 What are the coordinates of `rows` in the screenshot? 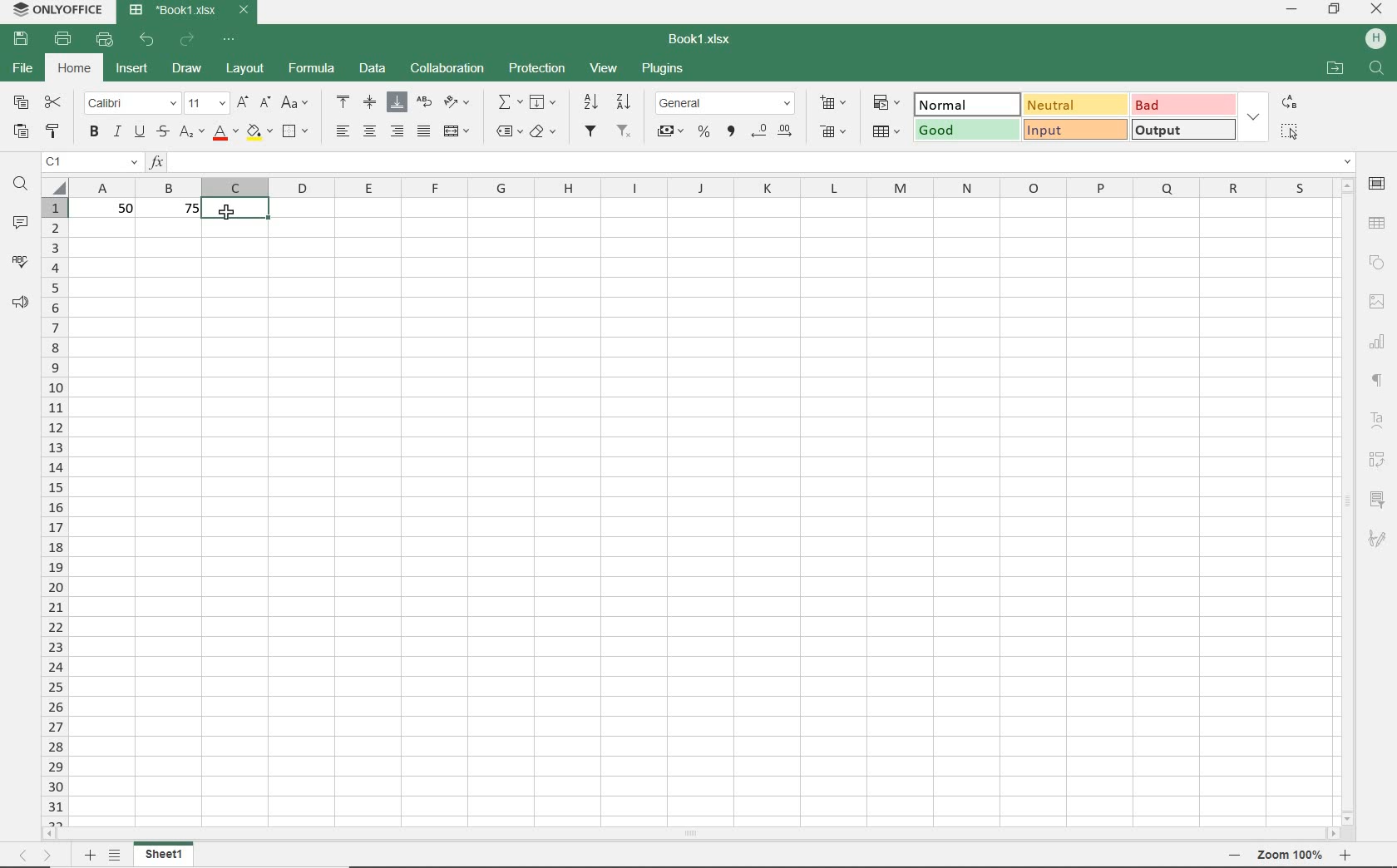 It's located at (54, 510).